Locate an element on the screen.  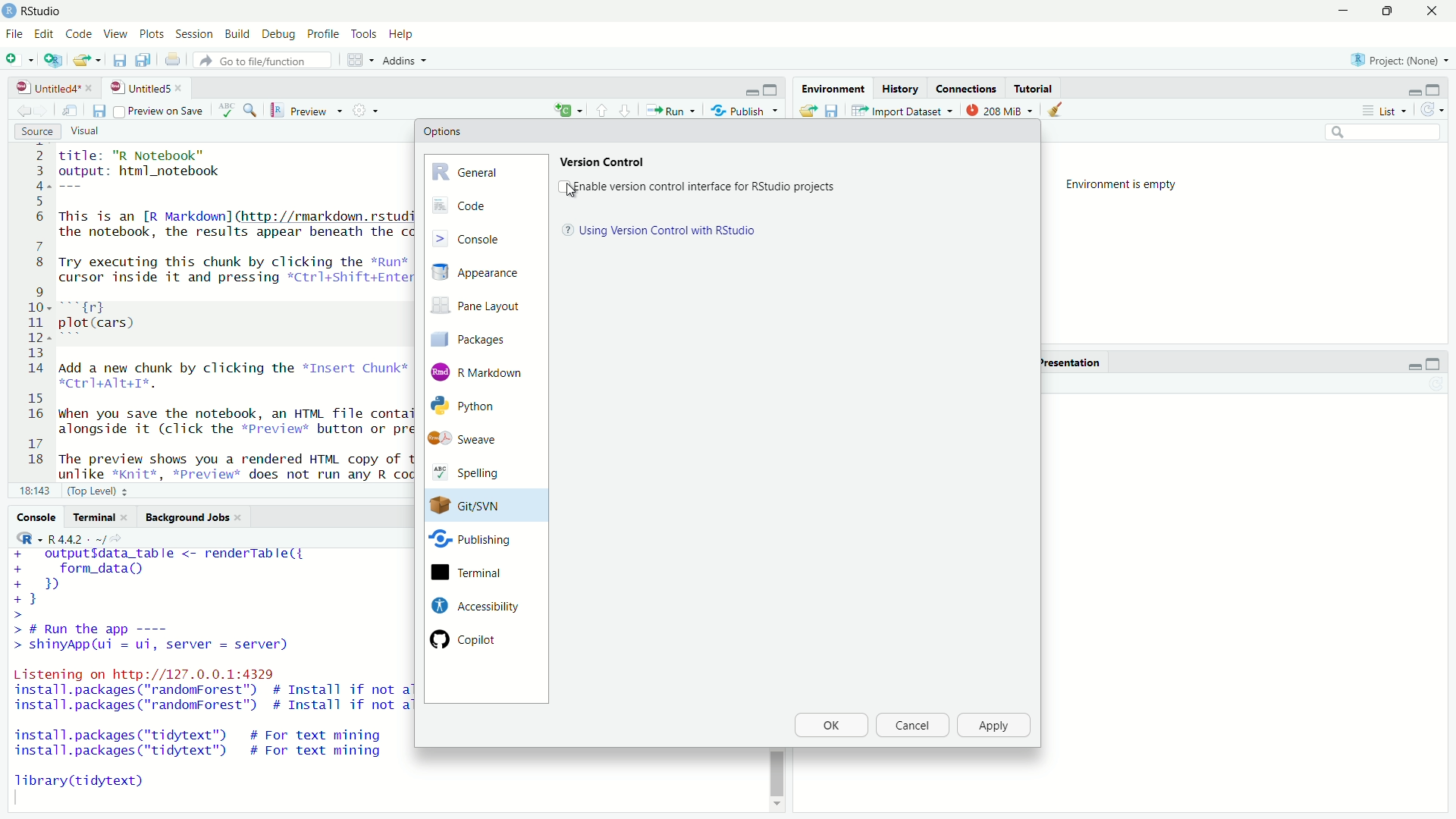
save is located at coordinates (98, 111).